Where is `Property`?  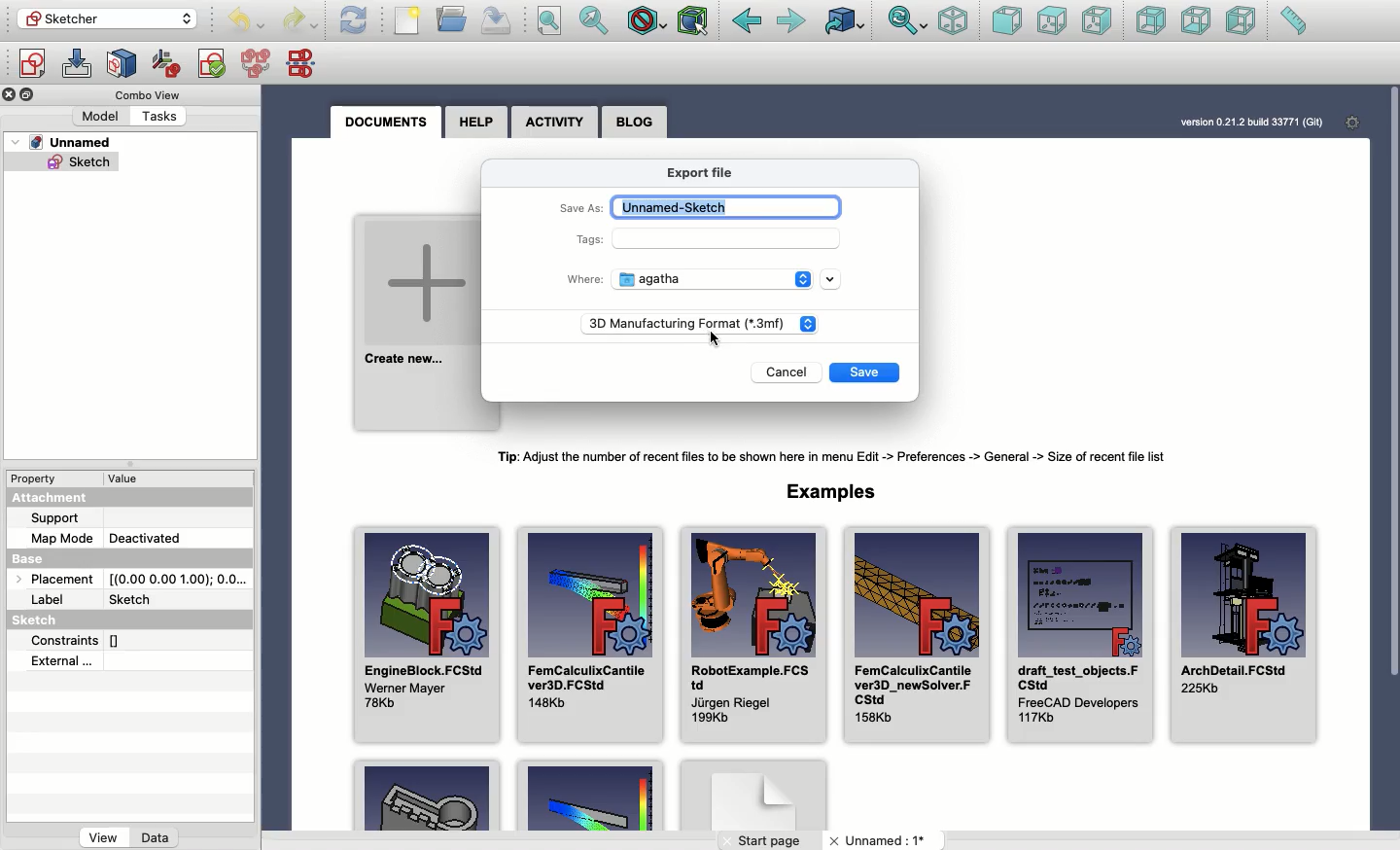
Property is located at coordinates (39, 477).